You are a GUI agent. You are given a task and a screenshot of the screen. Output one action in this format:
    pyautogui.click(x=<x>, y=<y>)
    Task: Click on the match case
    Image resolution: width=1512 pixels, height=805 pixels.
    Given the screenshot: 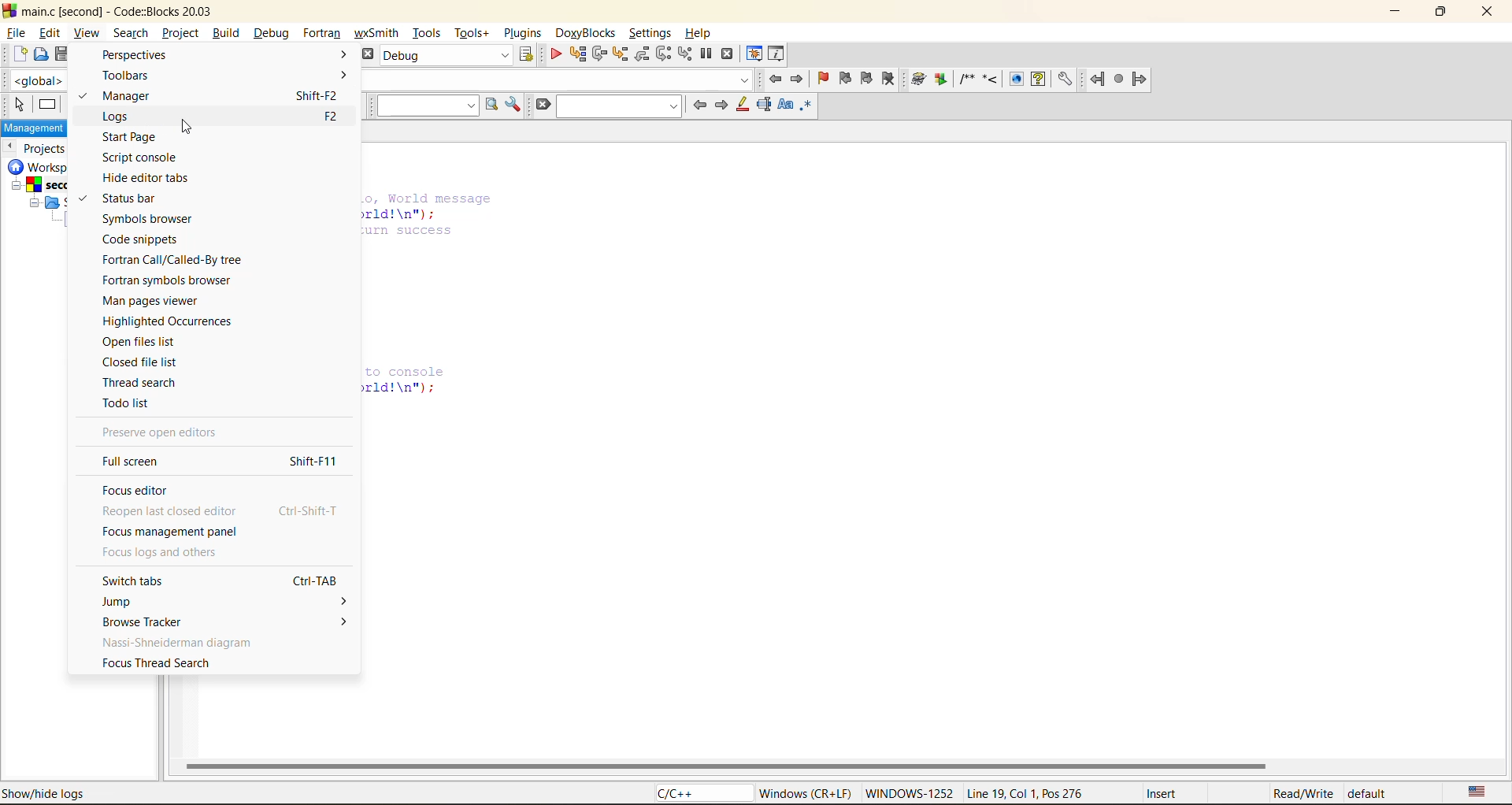 What is the action you would take?
    pyautogui.click(x=784, y=106)
    